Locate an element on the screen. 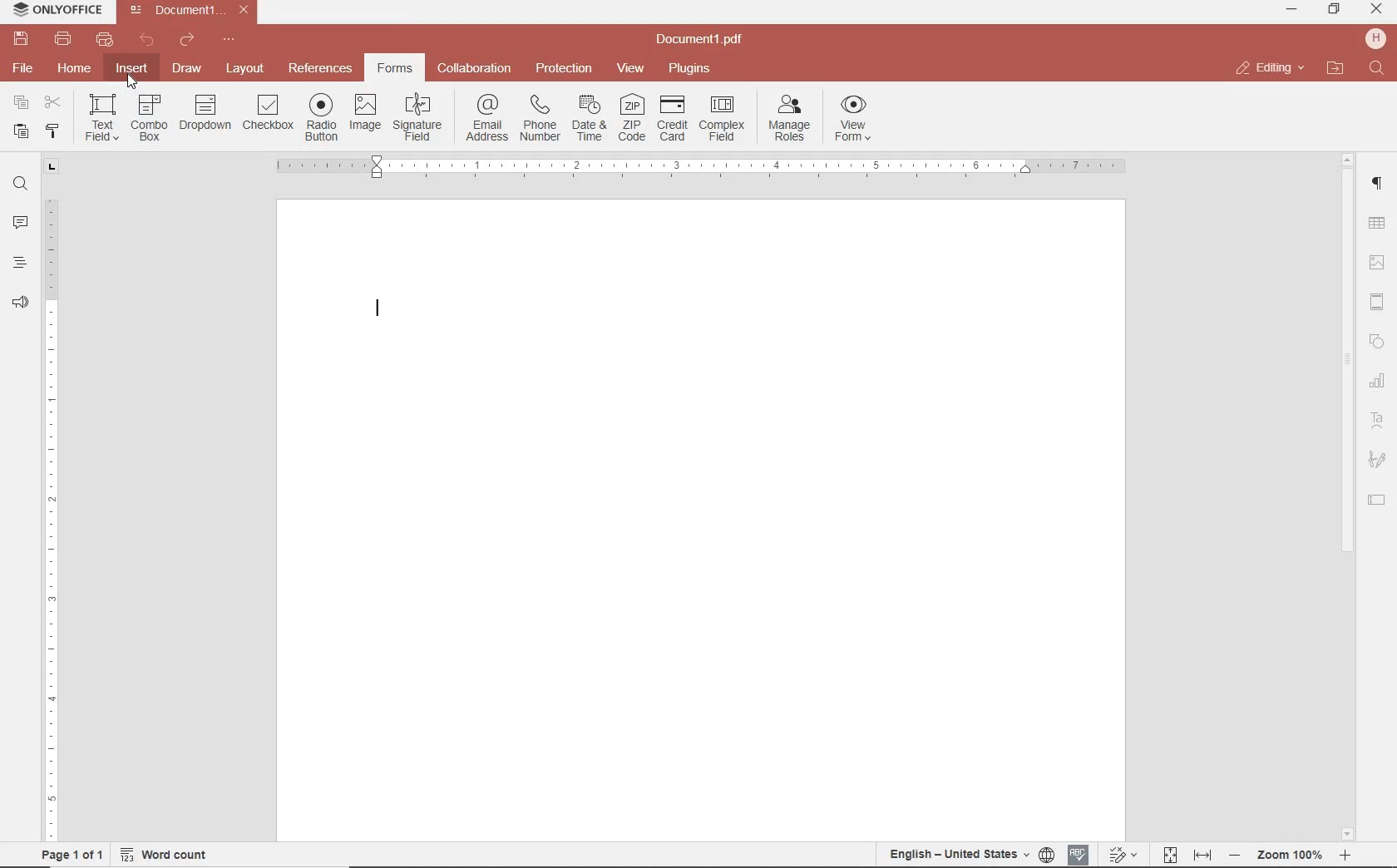  copy style is located at coordinates (51, 130).